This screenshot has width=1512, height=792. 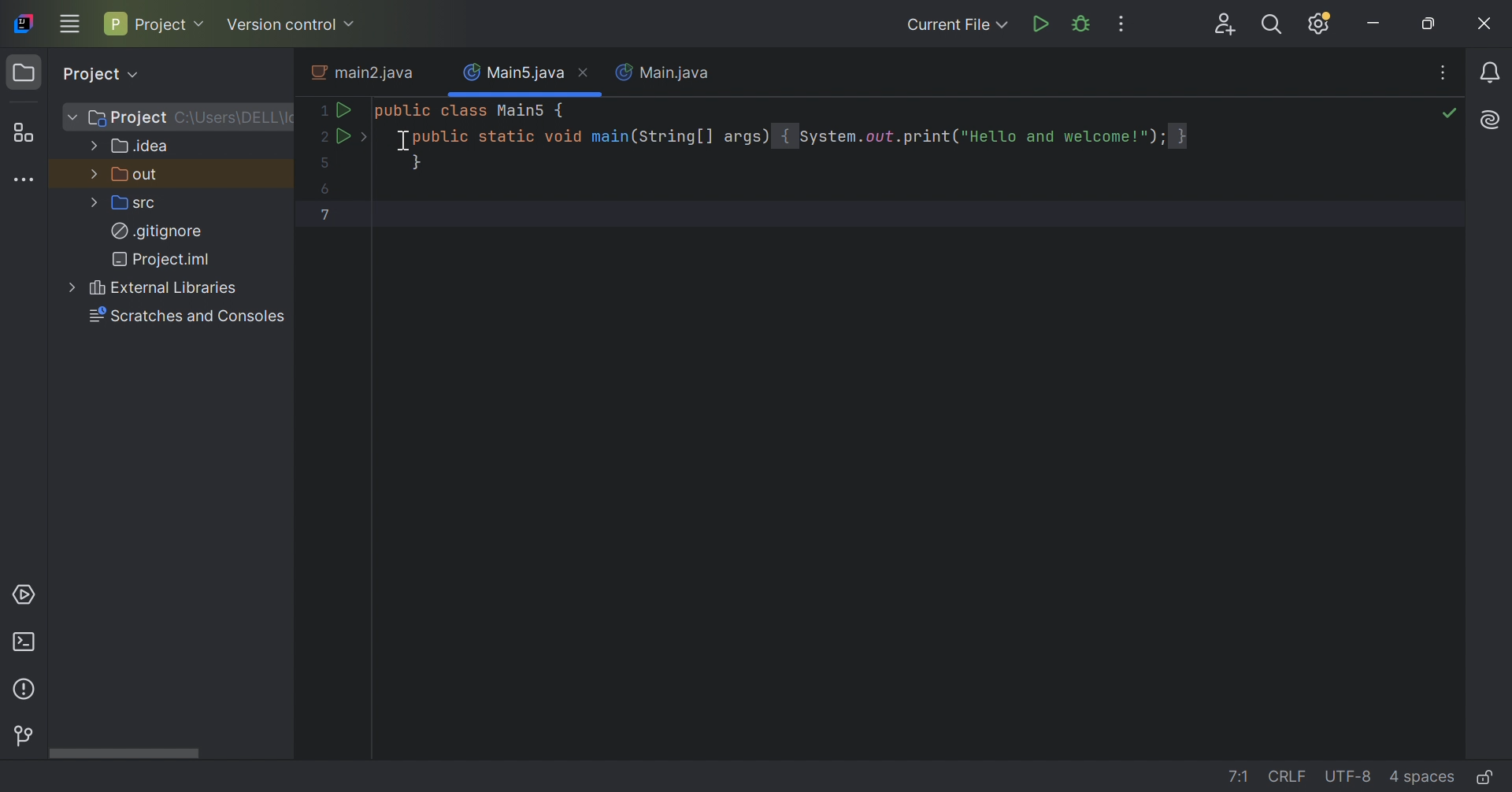 What do you see at coordinates (94, 144) in the screenshot?
I see `More` at bounding box center [94, 144].